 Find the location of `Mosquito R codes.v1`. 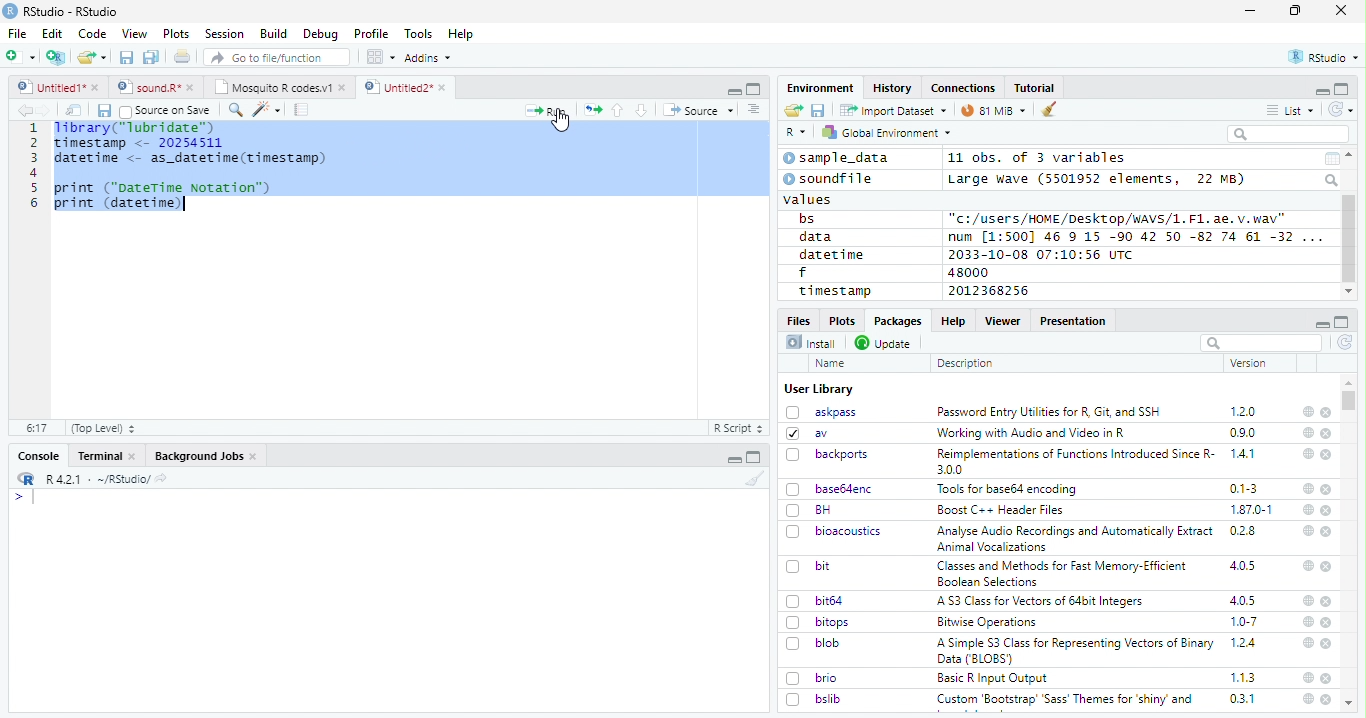

Mosquito R codes.v1 is located at coordinates (279, 87).